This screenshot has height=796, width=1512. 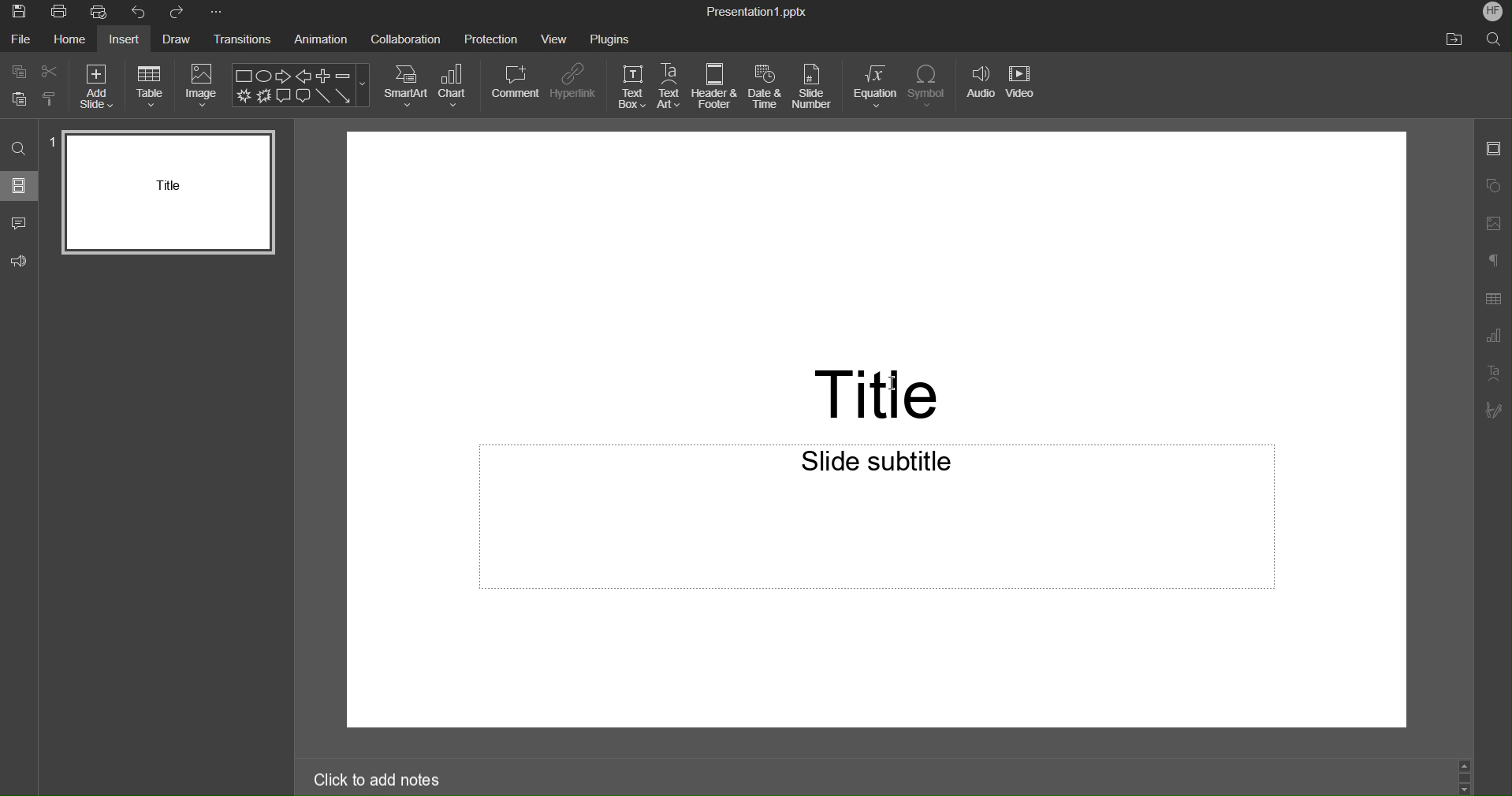 What do you see at coordinates (17, 13) in the screenshot?
I see `Save` at bounding box center [17, 13].